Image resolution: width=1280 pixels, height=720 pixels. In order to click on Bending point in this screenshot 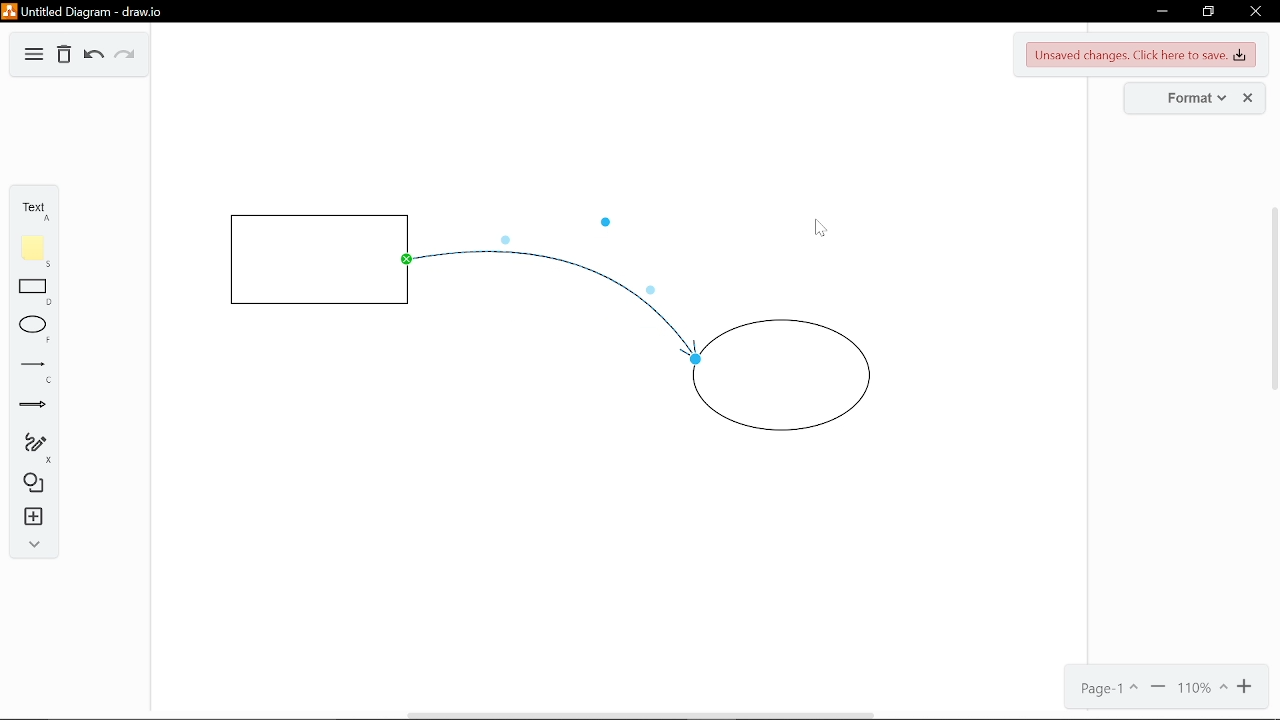, I will do `click(606, 222)`.